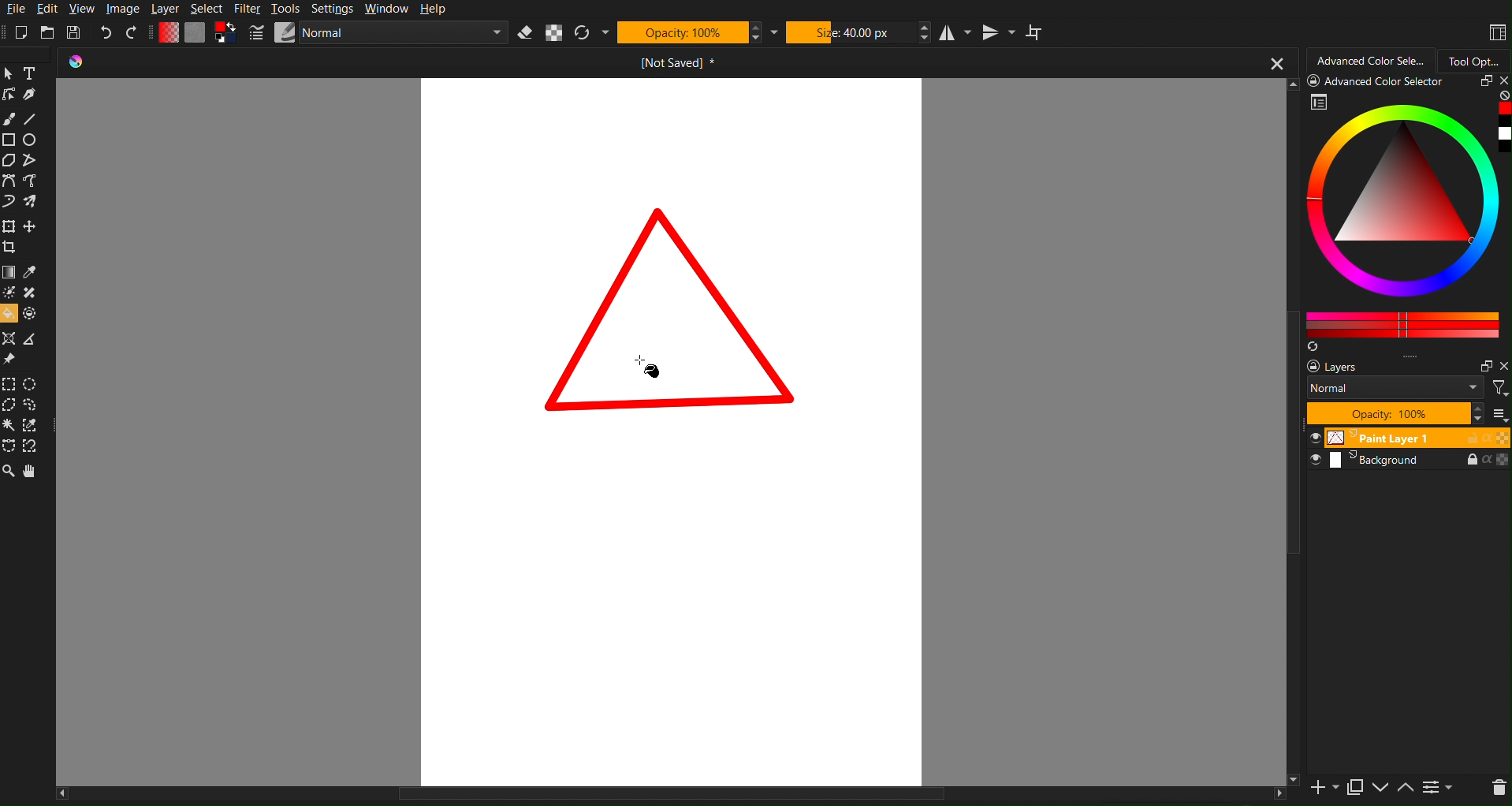 Image resolution: width=1512 pixels, height=806 pixels. What do you see at coordinates (132, 32) in the screenshot?
I see `Redo` at bounding box center [132, 32].